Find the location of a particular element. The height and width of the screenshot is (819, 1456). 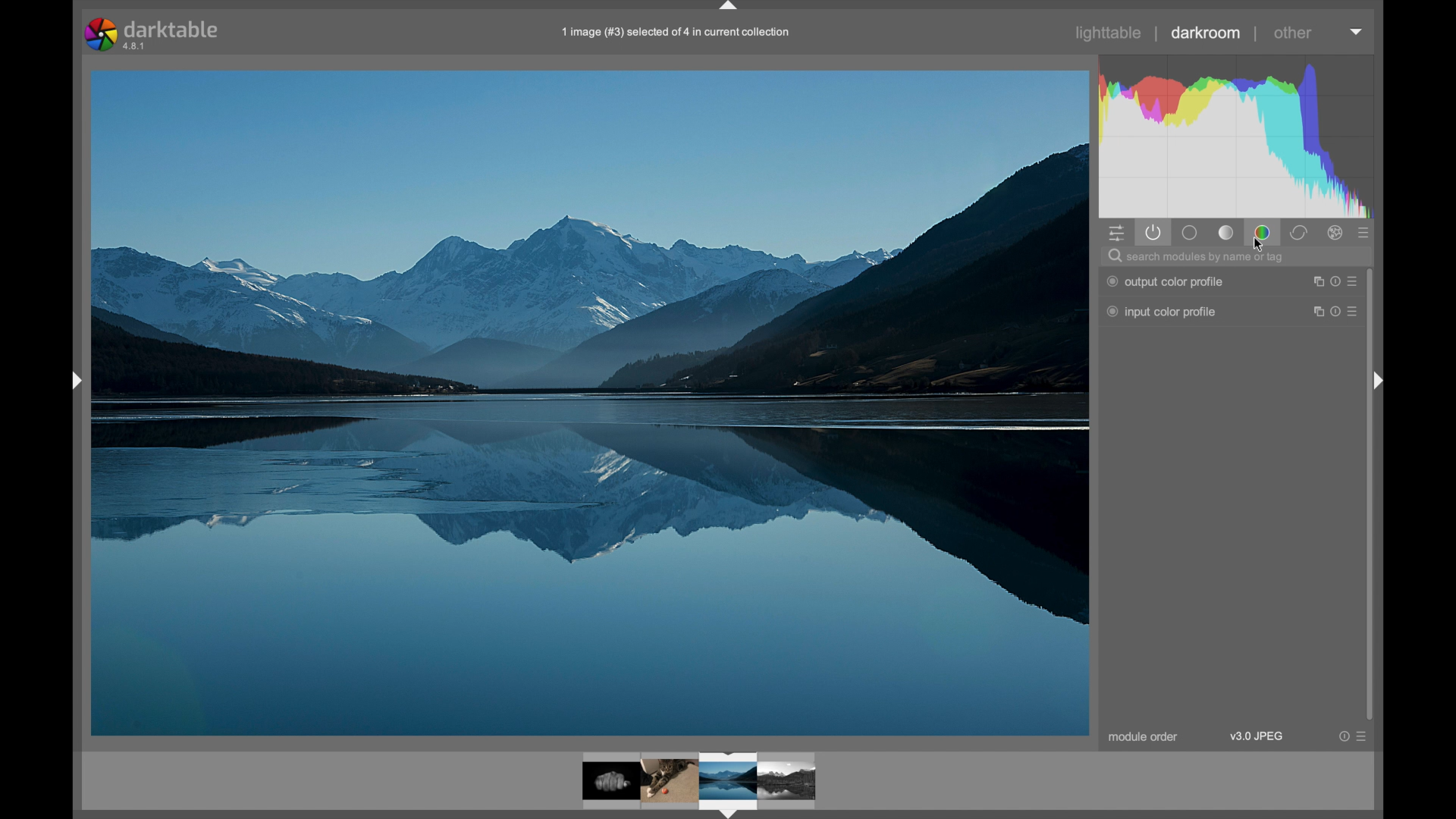

dropdown is located at coordinates (1356, 32).